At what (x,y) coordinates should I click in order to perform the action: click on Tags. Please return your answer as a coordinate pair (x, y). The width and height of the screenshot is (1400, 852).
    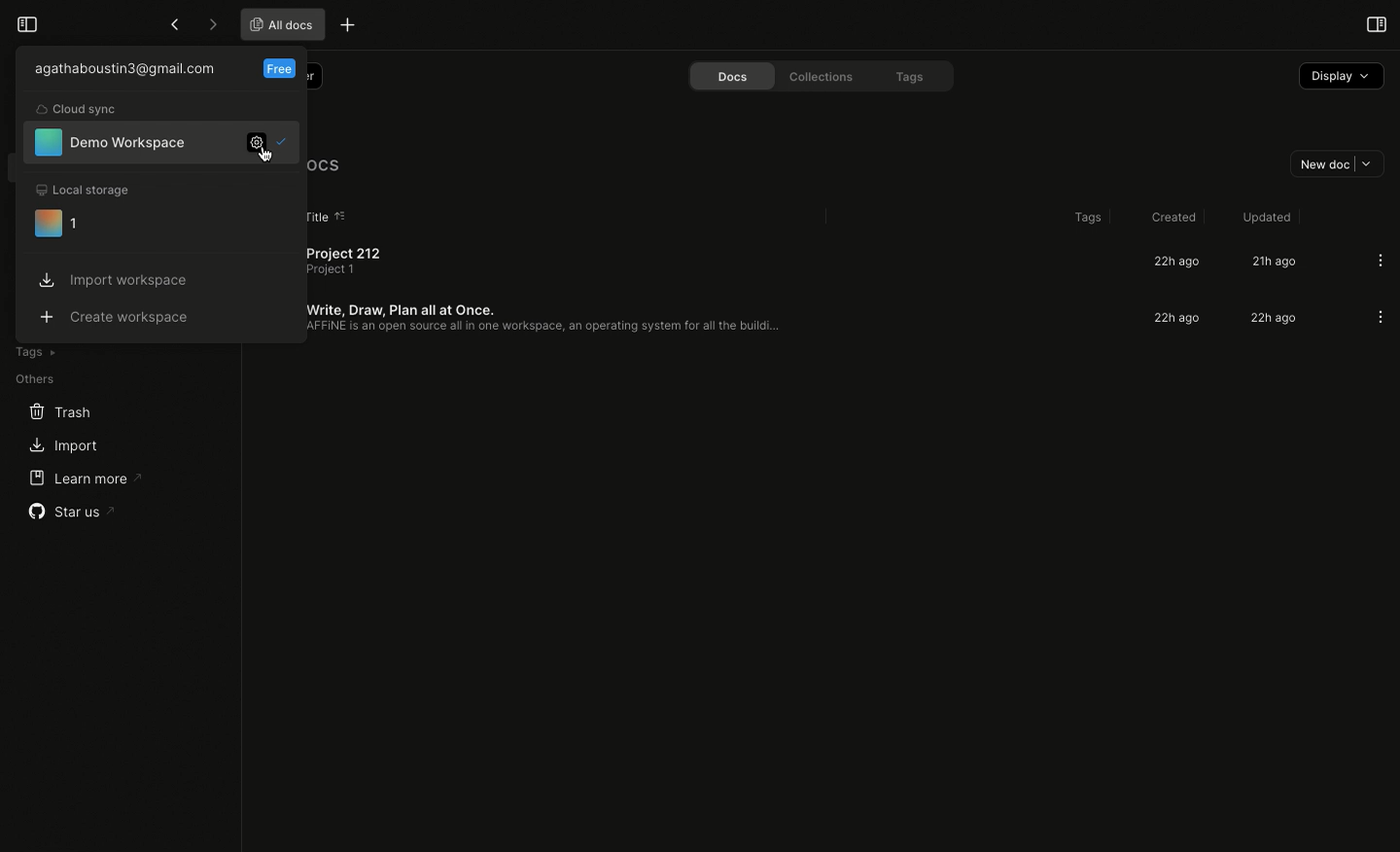
    Looking at the image, I should click on (1085, 218).